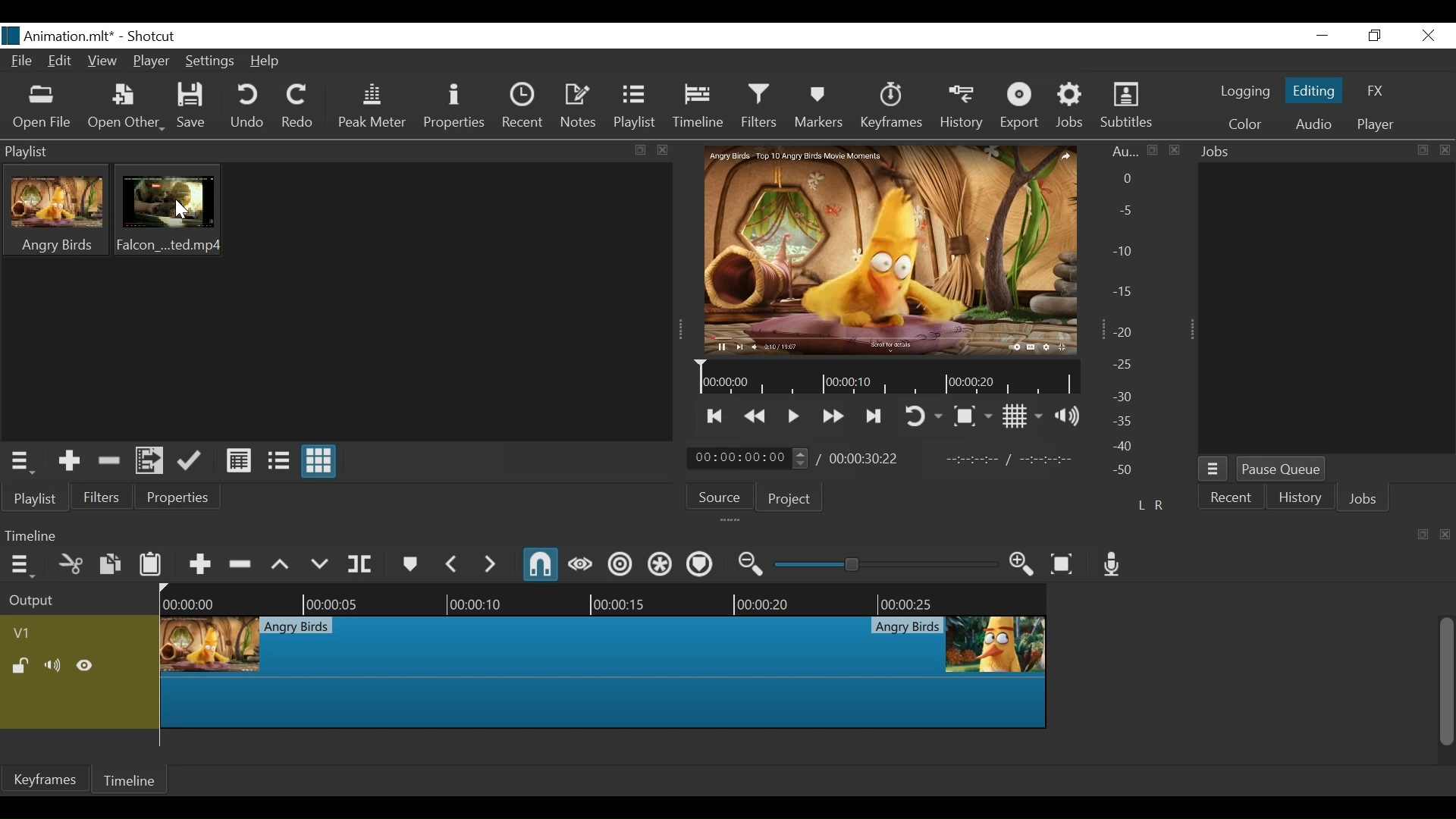  What do you see at coordinates (151, 562) in the screenshot?
I see `Paste` at bounding box center [151, 562].